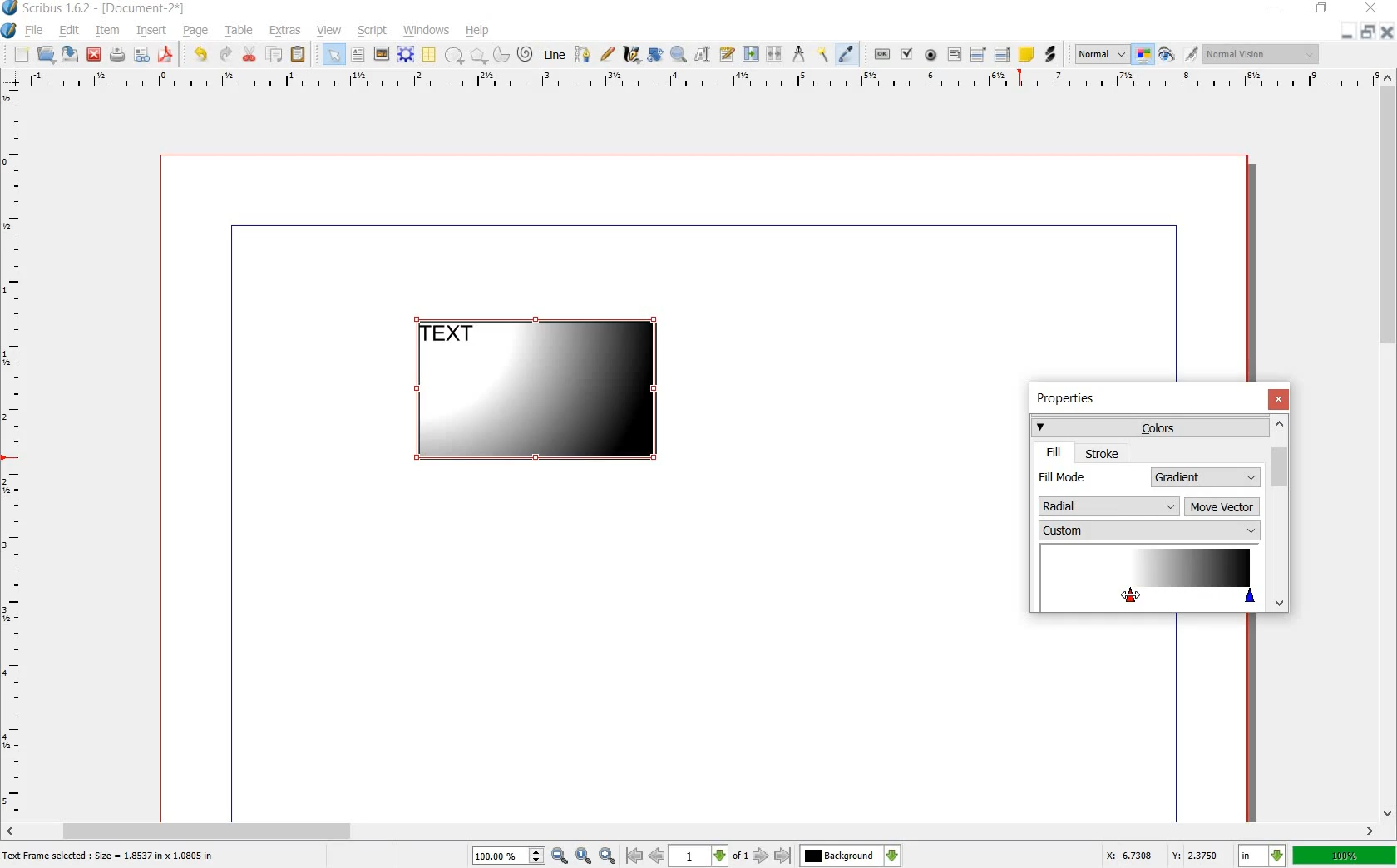 This screenshot has height=868, width=1397. What do you see at coordinates (1263, 856) in the screenshot?
I see `in` at bounding box center [1263, 856].